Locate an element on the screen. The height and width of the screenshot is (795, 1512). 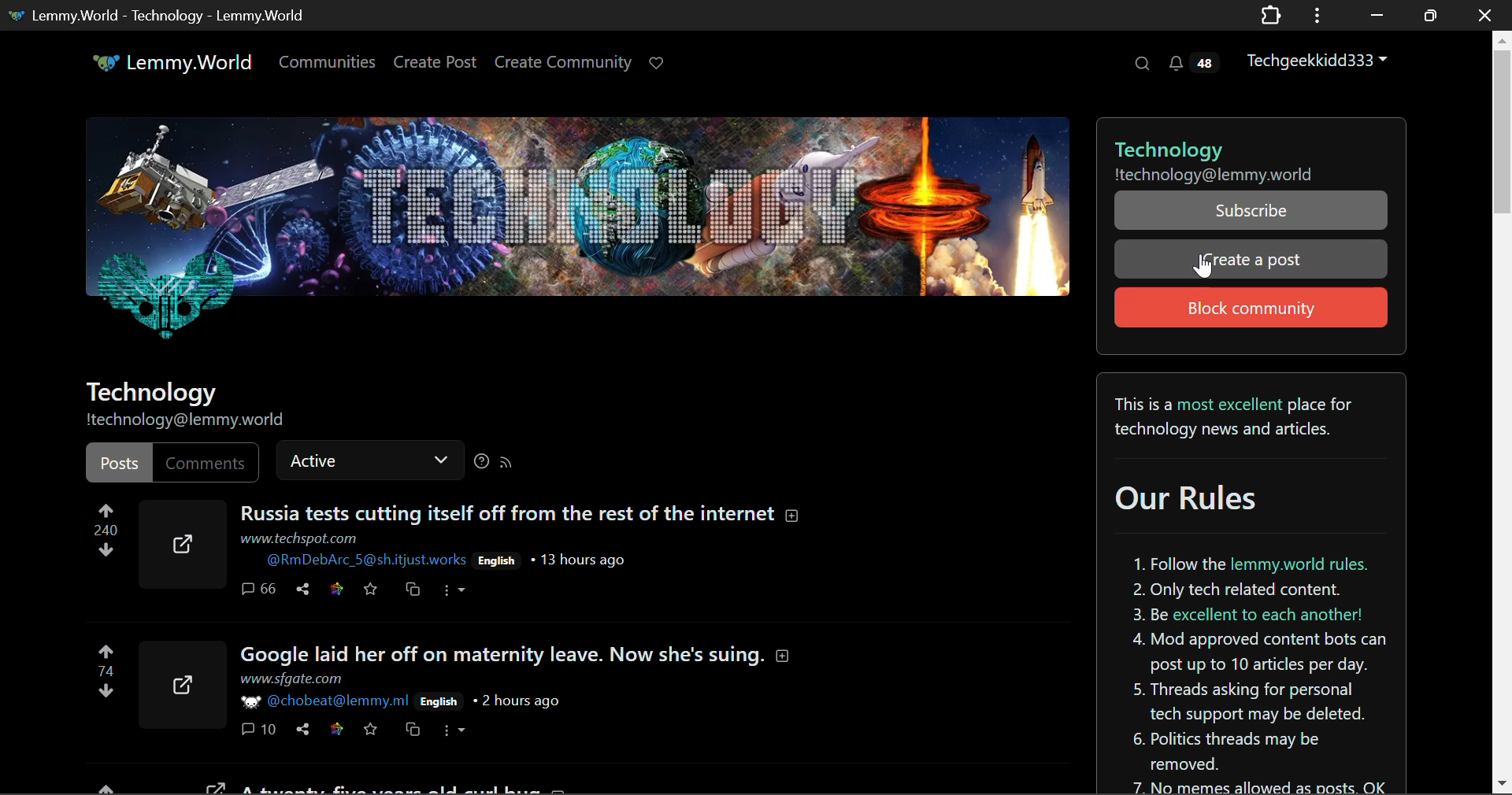
Cross-post is located at coordinates (412, 730).